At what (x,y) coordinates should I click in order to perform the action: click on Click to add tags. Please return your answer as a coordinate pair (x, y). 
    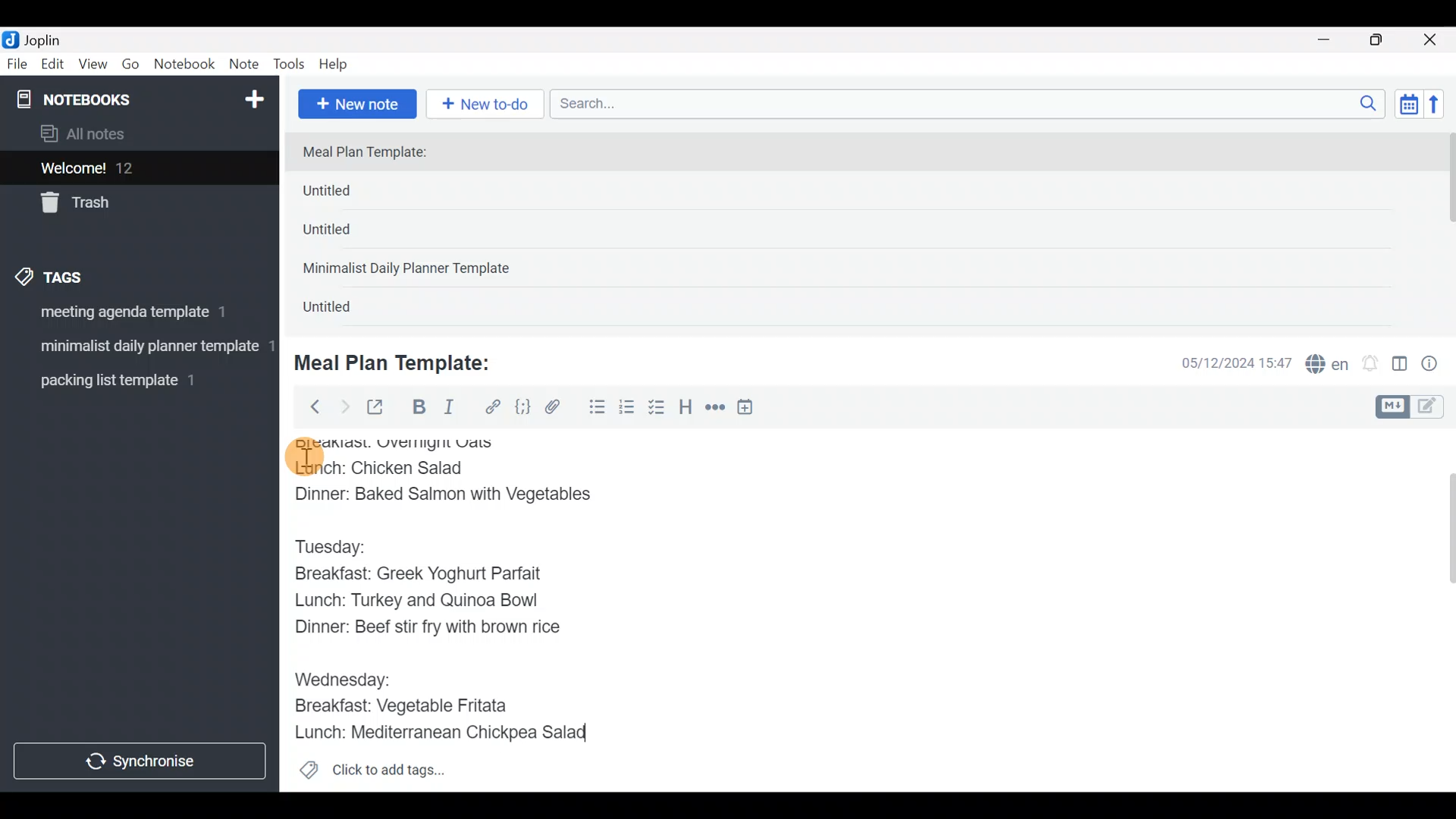
    Looking at the image, I should click on (372, 775).